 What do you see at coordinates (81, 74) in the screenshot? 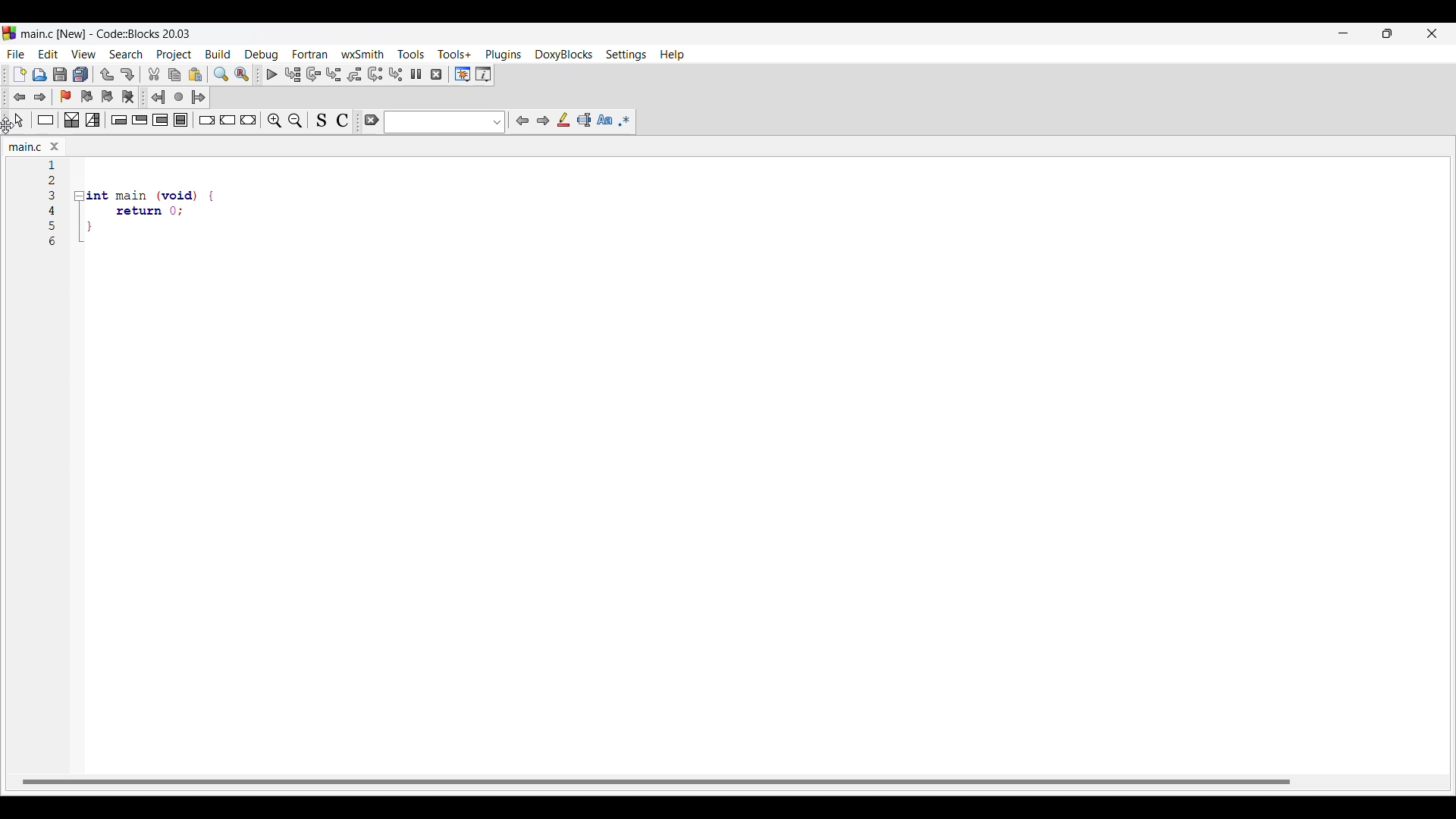
I see `Save everything` at bounding box center [81, 74].